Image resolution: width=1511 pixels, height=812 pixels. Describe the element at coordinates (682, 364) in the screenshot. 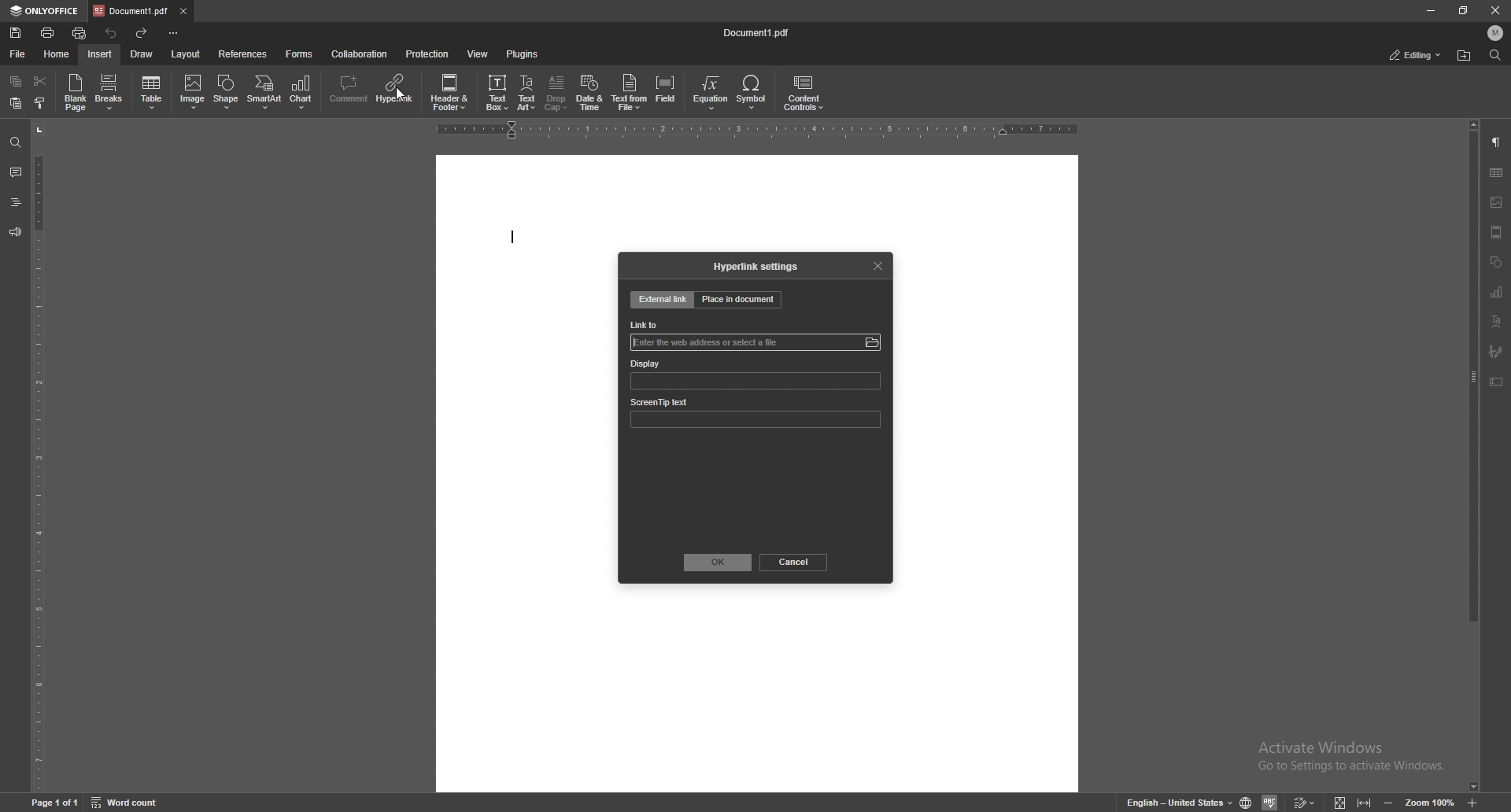

I see `display` at that location.